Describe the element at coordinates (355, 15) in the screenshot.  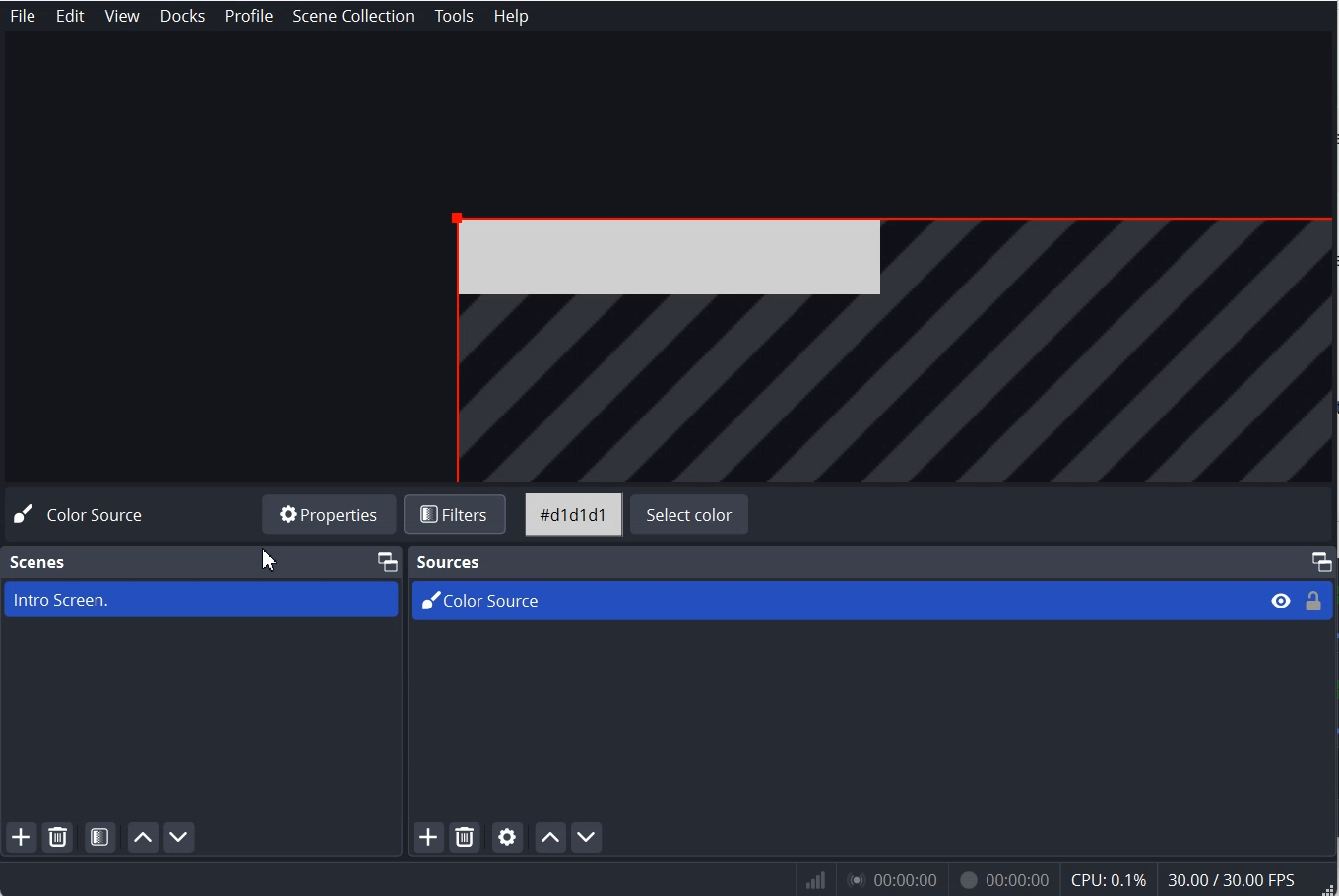
I see `Scene Collection` at that location.